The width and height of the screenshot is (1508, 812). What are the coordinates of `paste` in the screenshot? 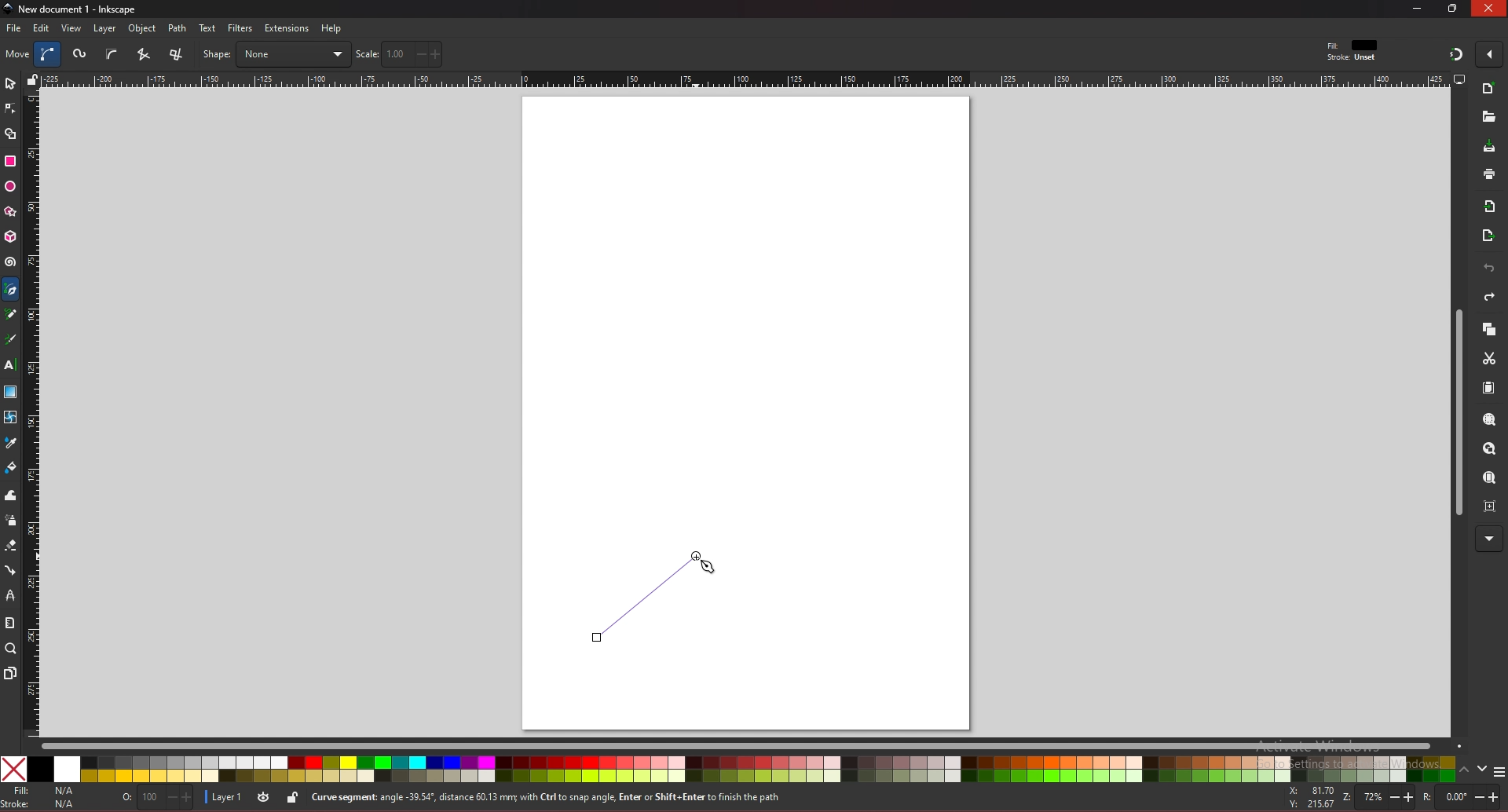 It's located at (1488, 389).